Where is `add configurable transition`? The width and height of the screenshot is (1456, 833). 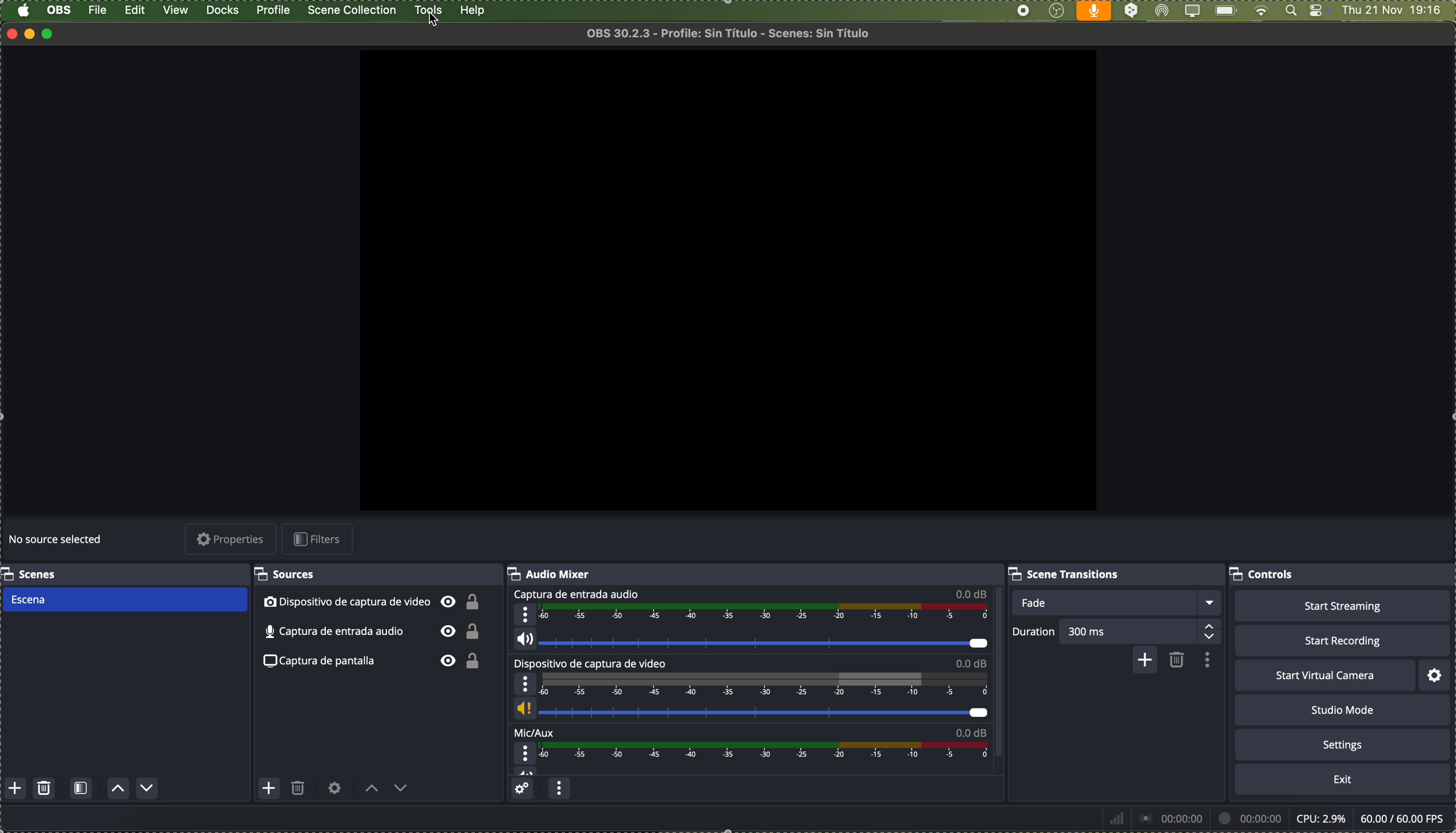
add configurable transition is located at coordinates (1143, 661).